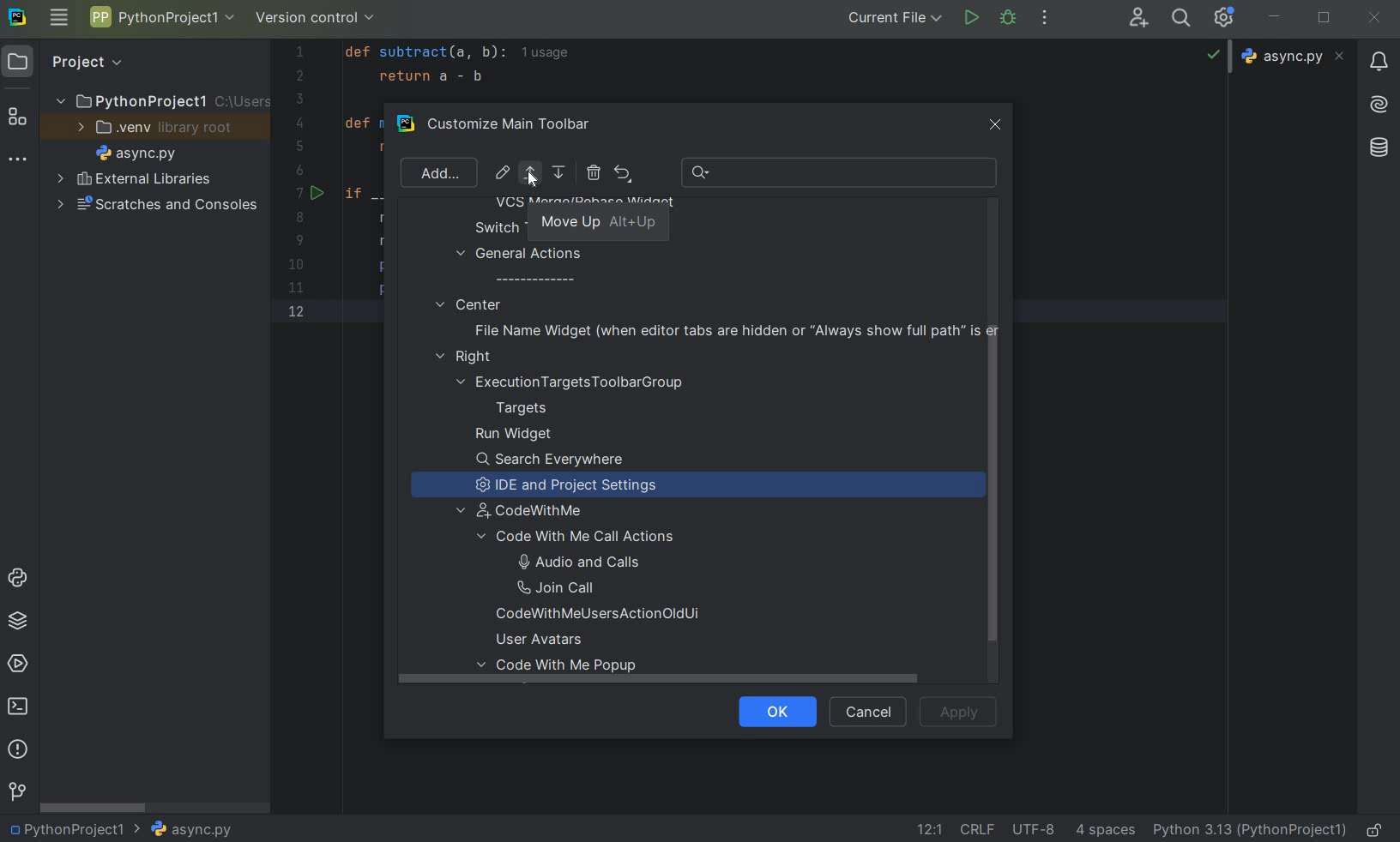 The image size is (1400, 842). Describe the element at coordinates (585, 204) in the screenshot. I see `VCS Merge/rebase widget` at that location.